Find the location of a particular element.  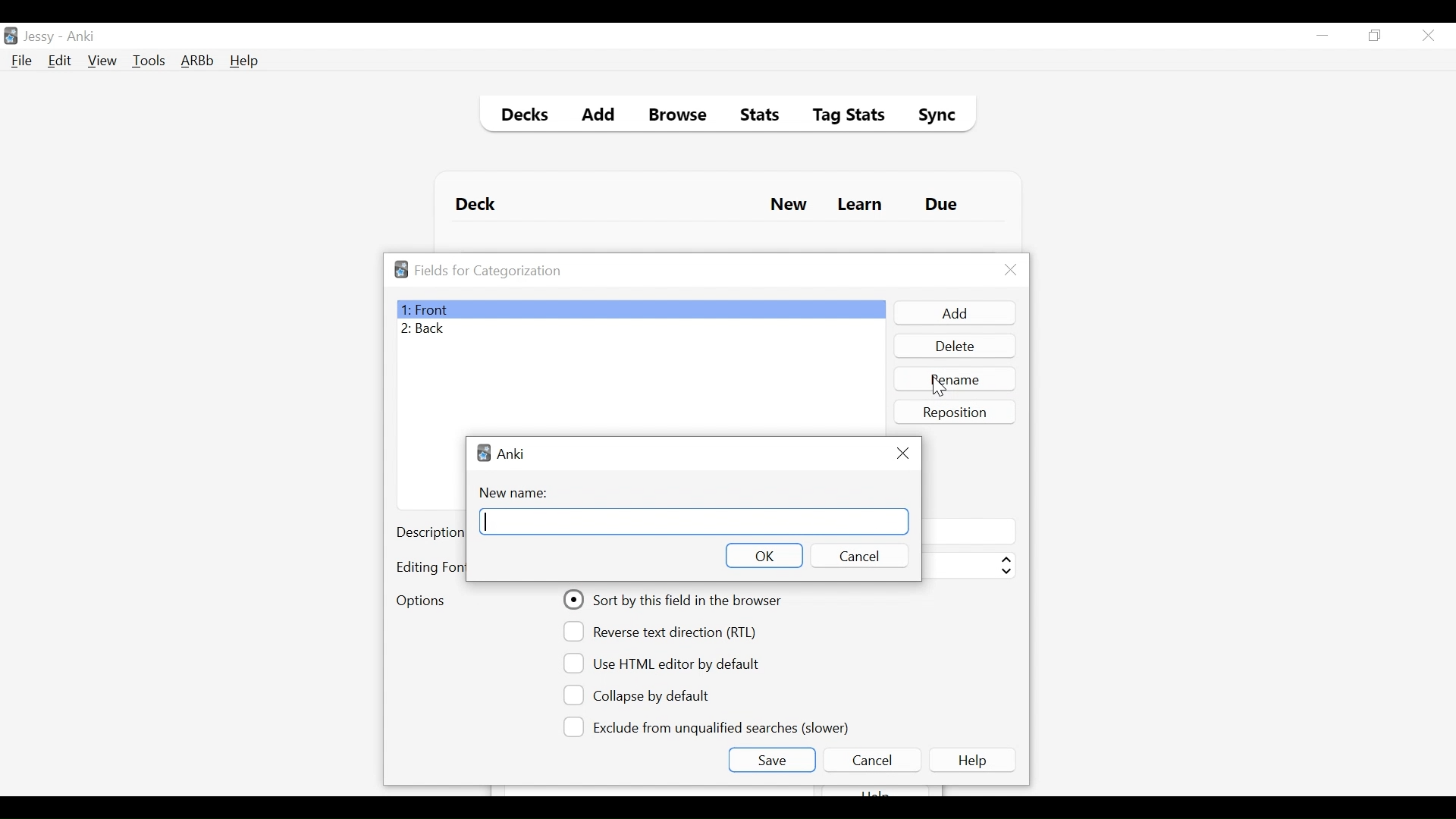

Reposition is located at coordinates (956, 412).